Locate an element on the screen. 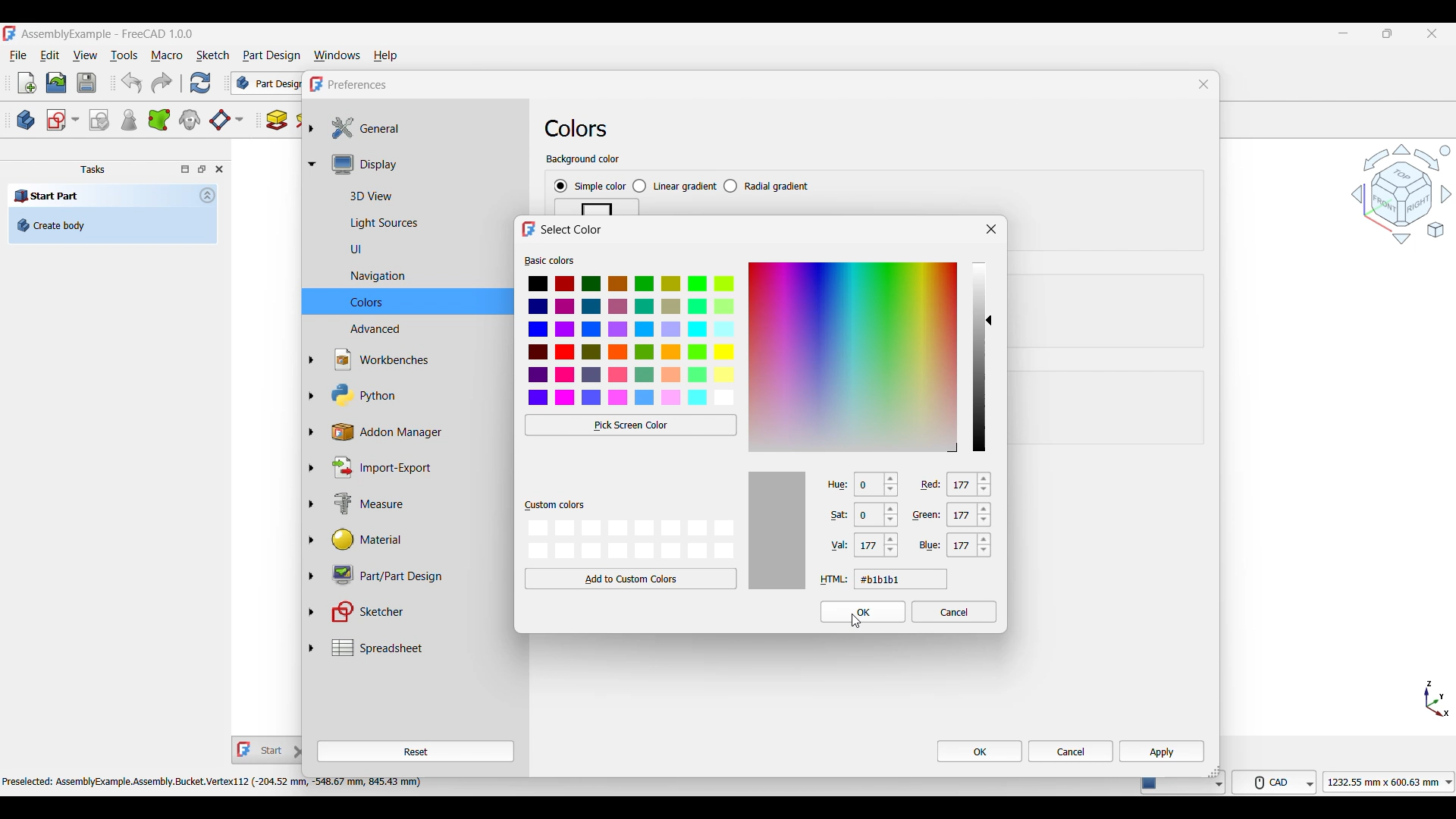  sat is located at coordinates (832, 516).